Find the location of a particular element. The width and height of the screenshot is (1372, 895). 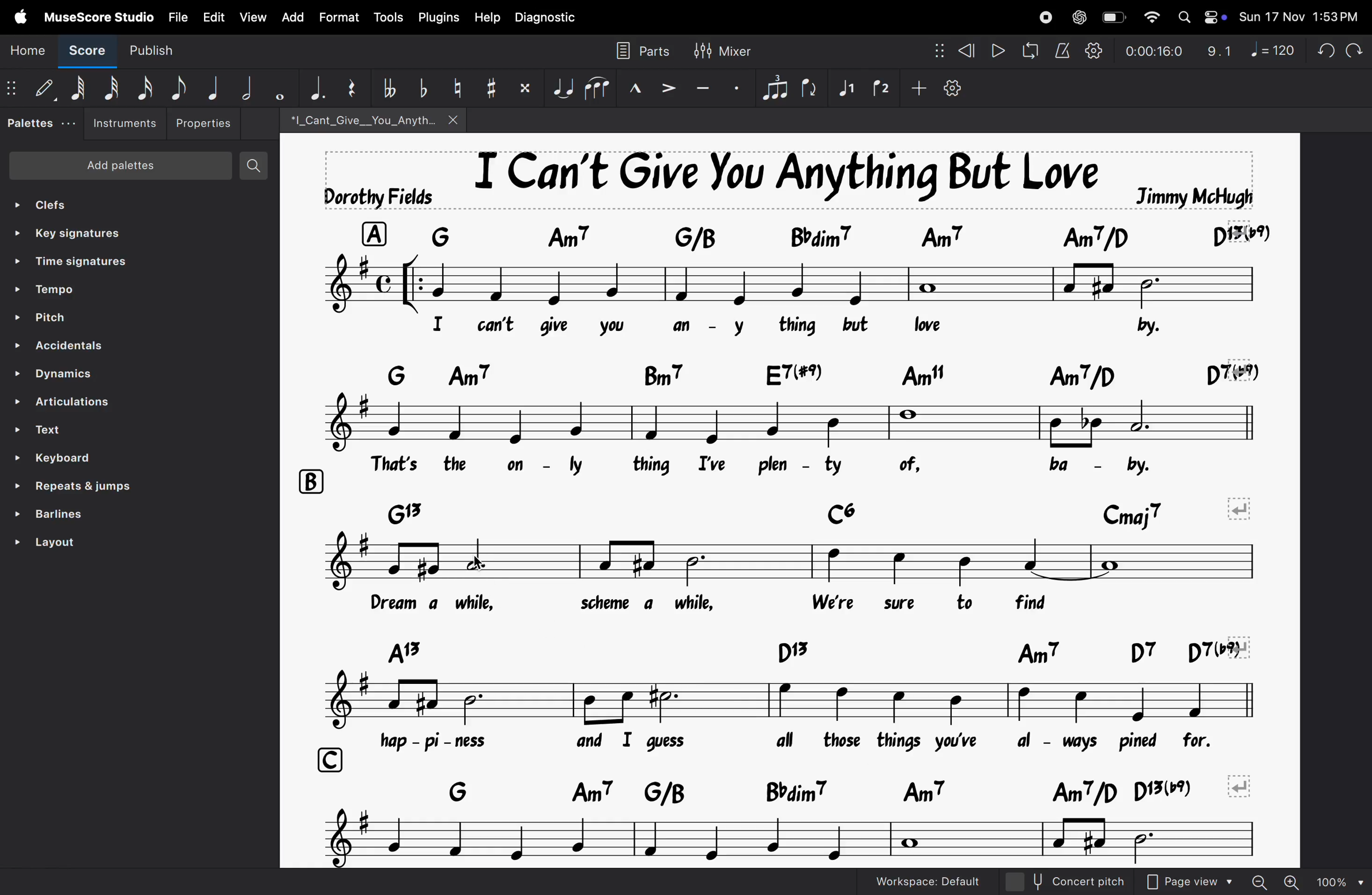

half note is located at coordinates (244, 88).